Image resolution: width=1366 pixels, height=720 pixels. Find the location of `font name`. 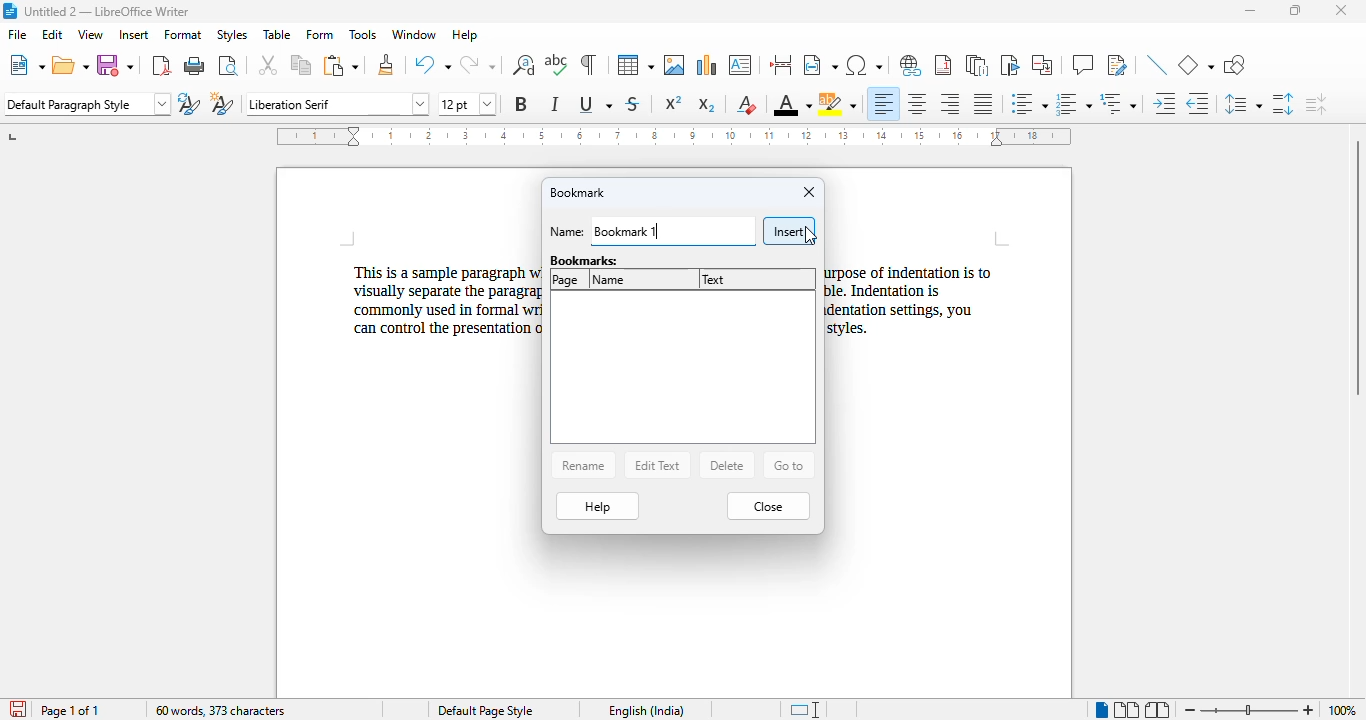

font name is located at coordinates (339, 103).